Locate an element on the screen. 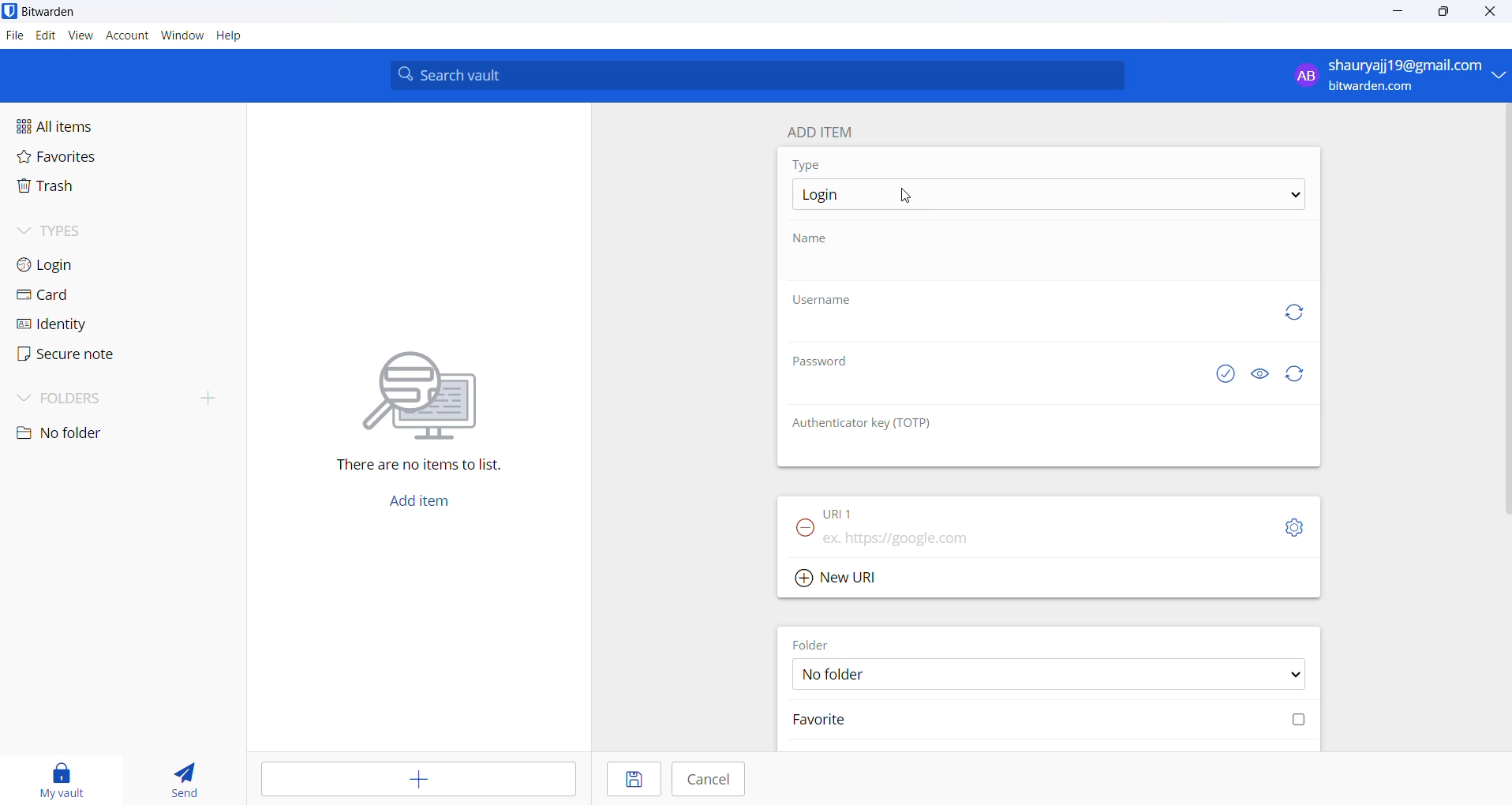  edit is located at coordinates (43, 35).